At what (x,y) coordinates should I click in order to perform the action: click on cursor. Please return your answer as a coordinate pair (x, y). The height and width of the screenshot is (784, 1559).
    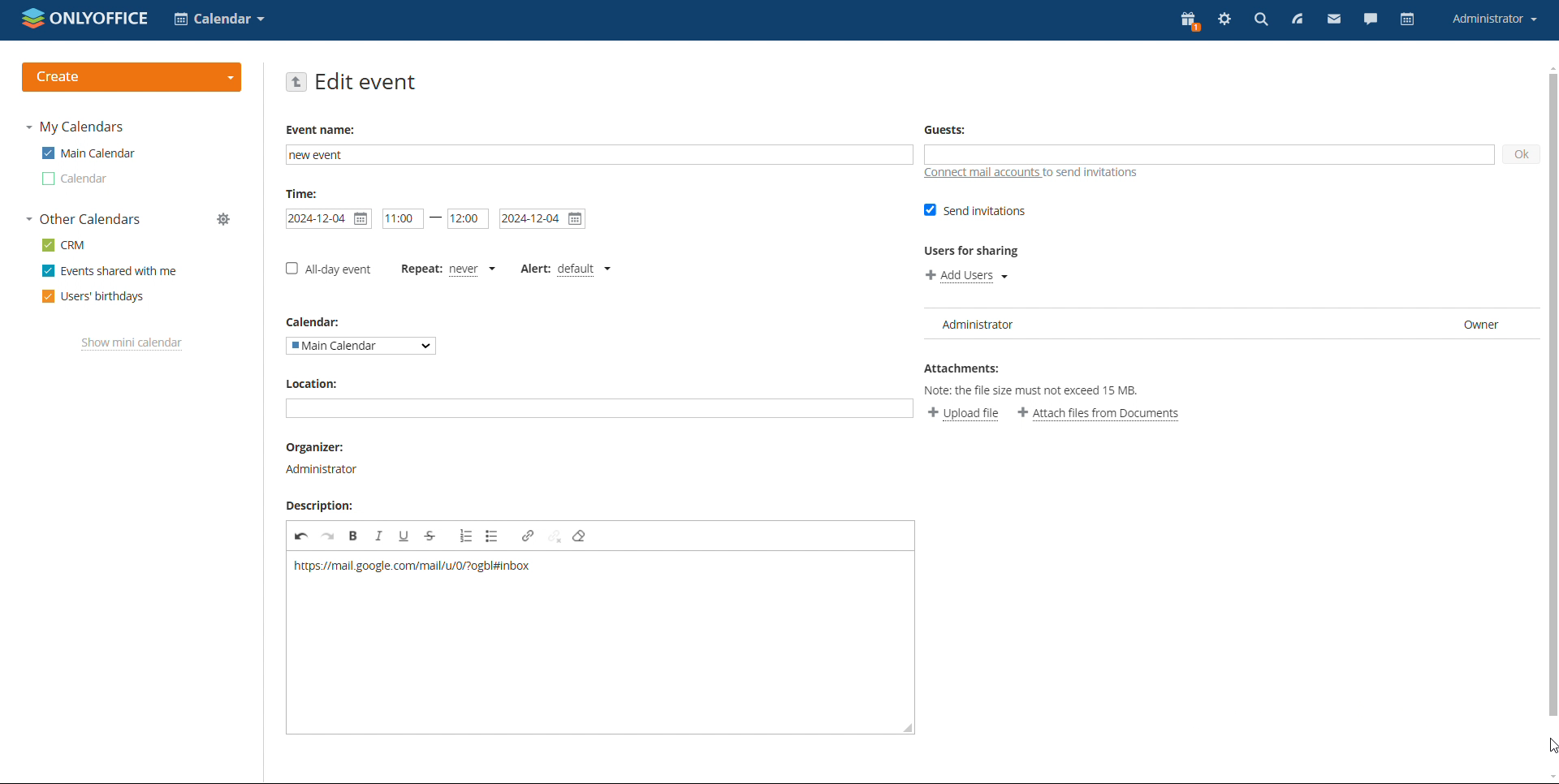
    Looking at the image, I should click on (1545, 744).